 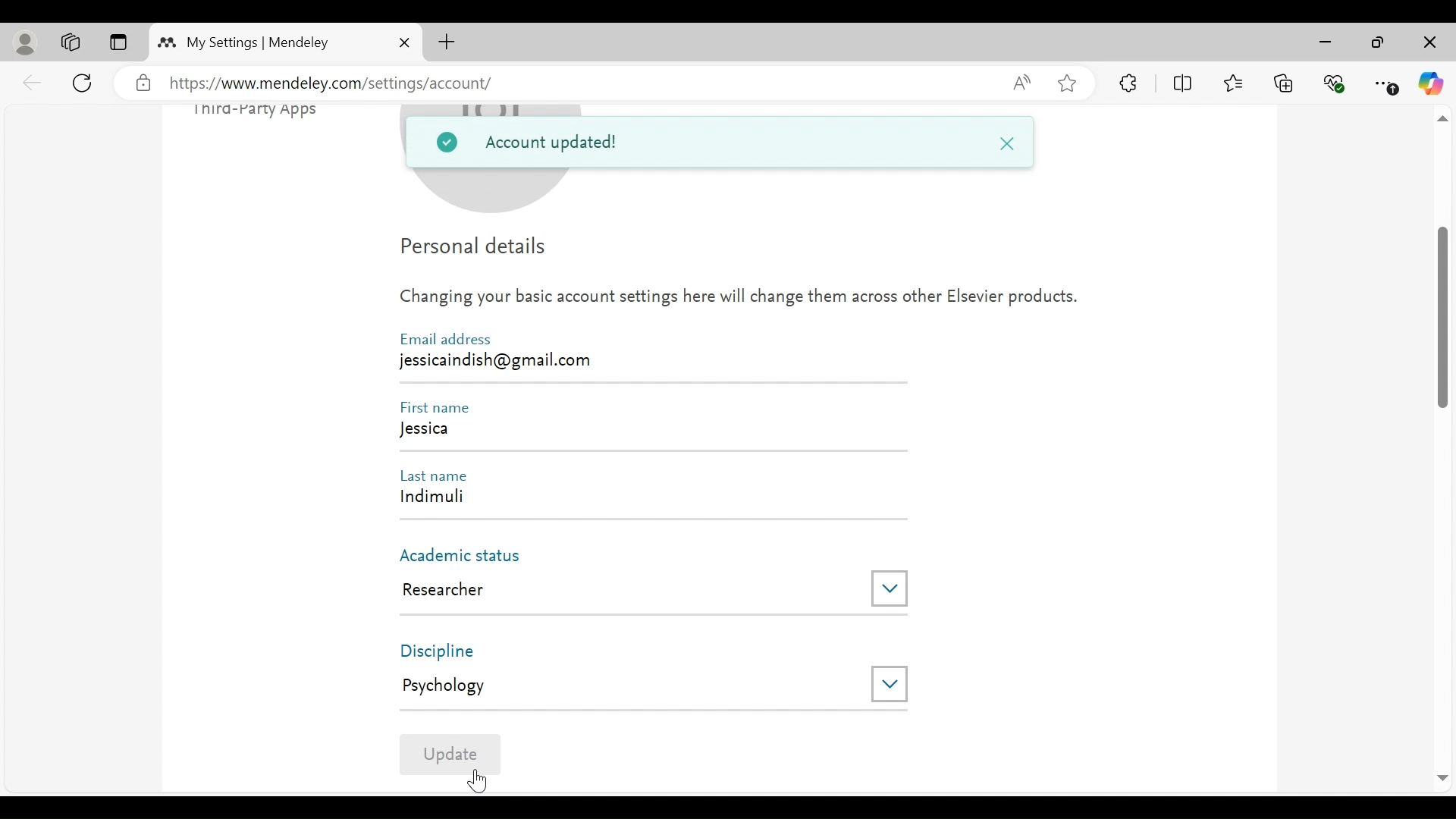 What do you see at coordinates (479, 778) in the screenshot?
I see `Cursor` at bounding box center [479, 778].